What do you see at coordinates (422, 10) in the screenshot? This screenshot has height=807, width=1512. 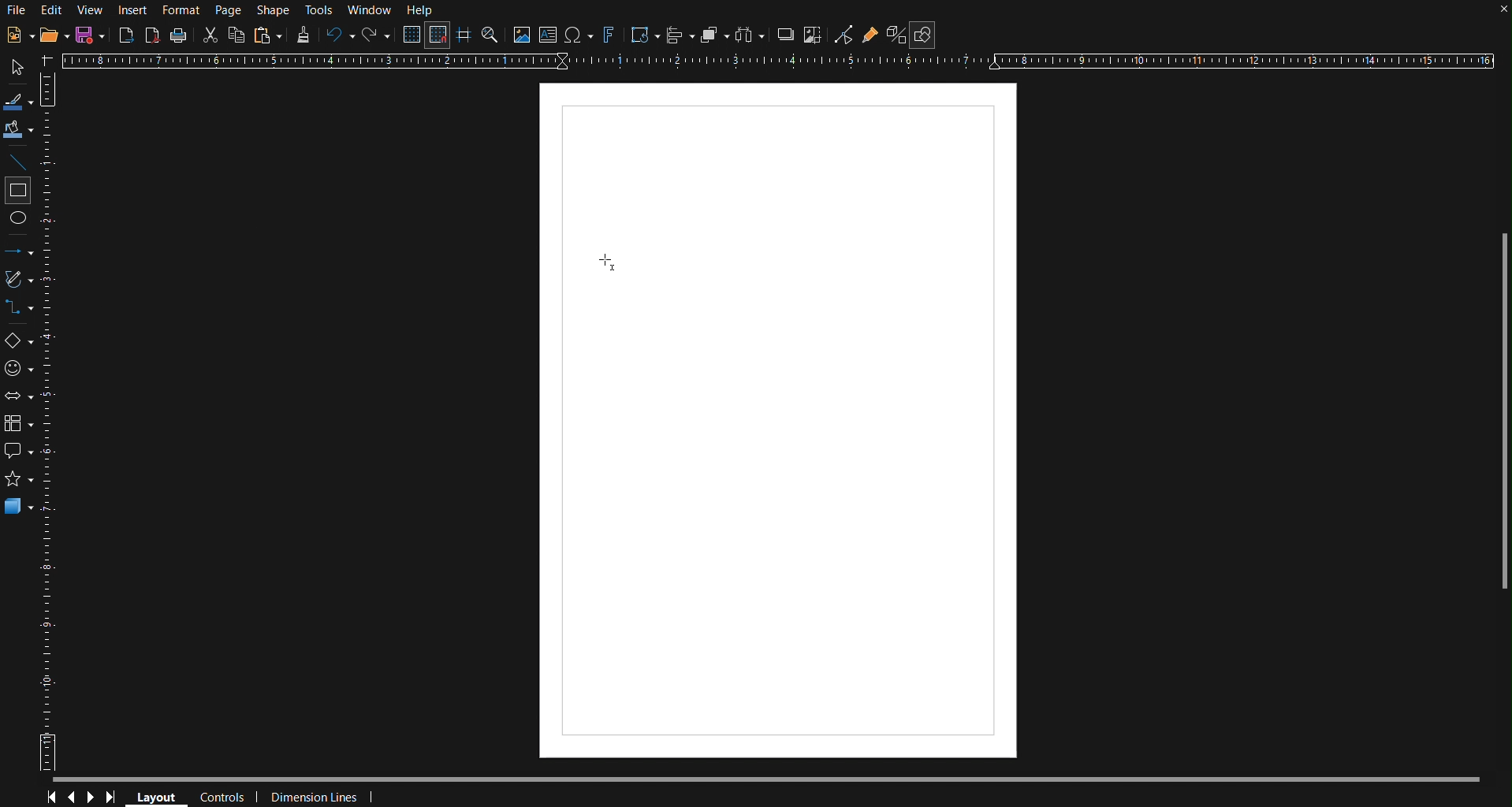 I see `Help` at bounding box center [422, 10].